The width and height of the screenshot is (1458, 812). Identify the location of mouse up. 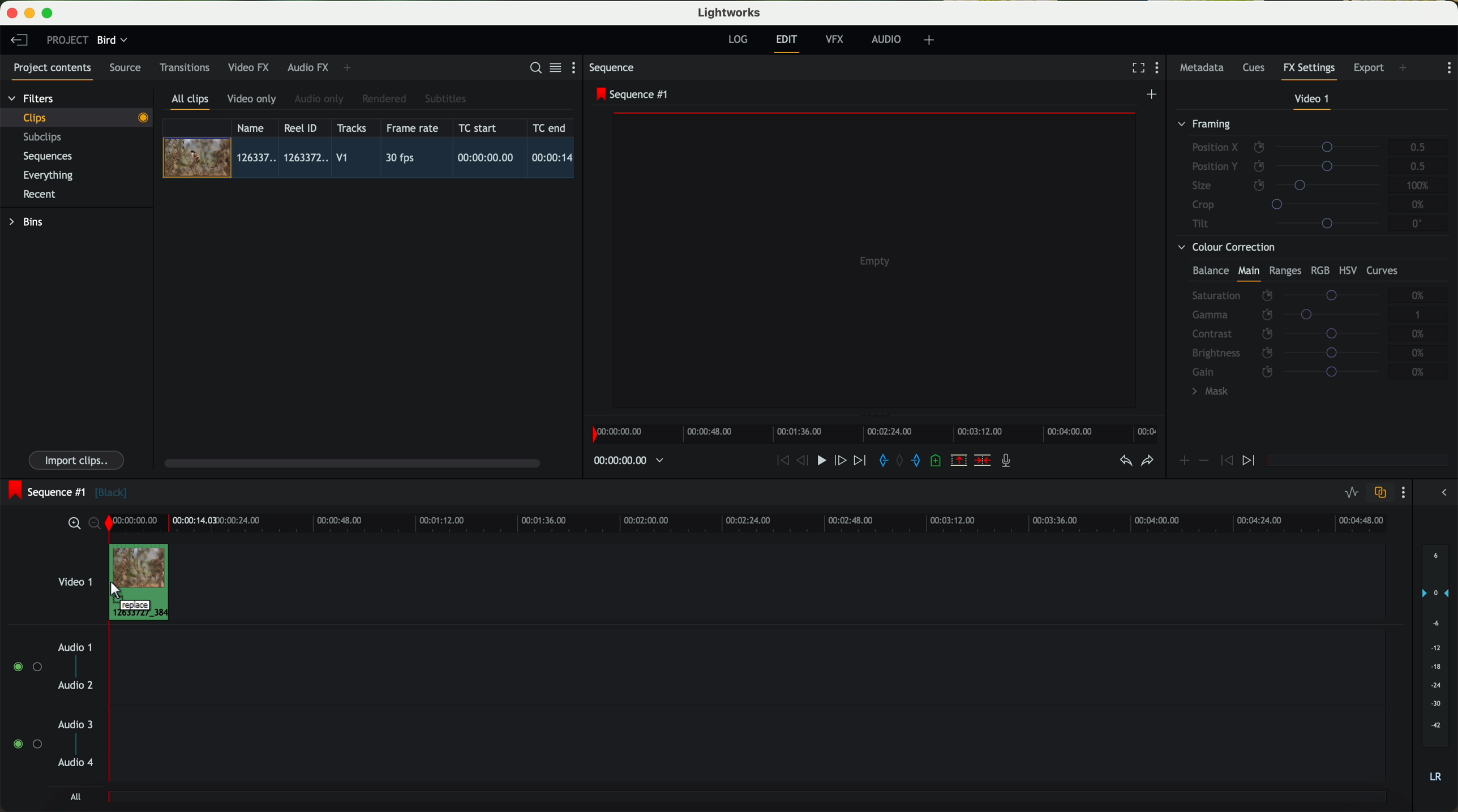
(118, 592).